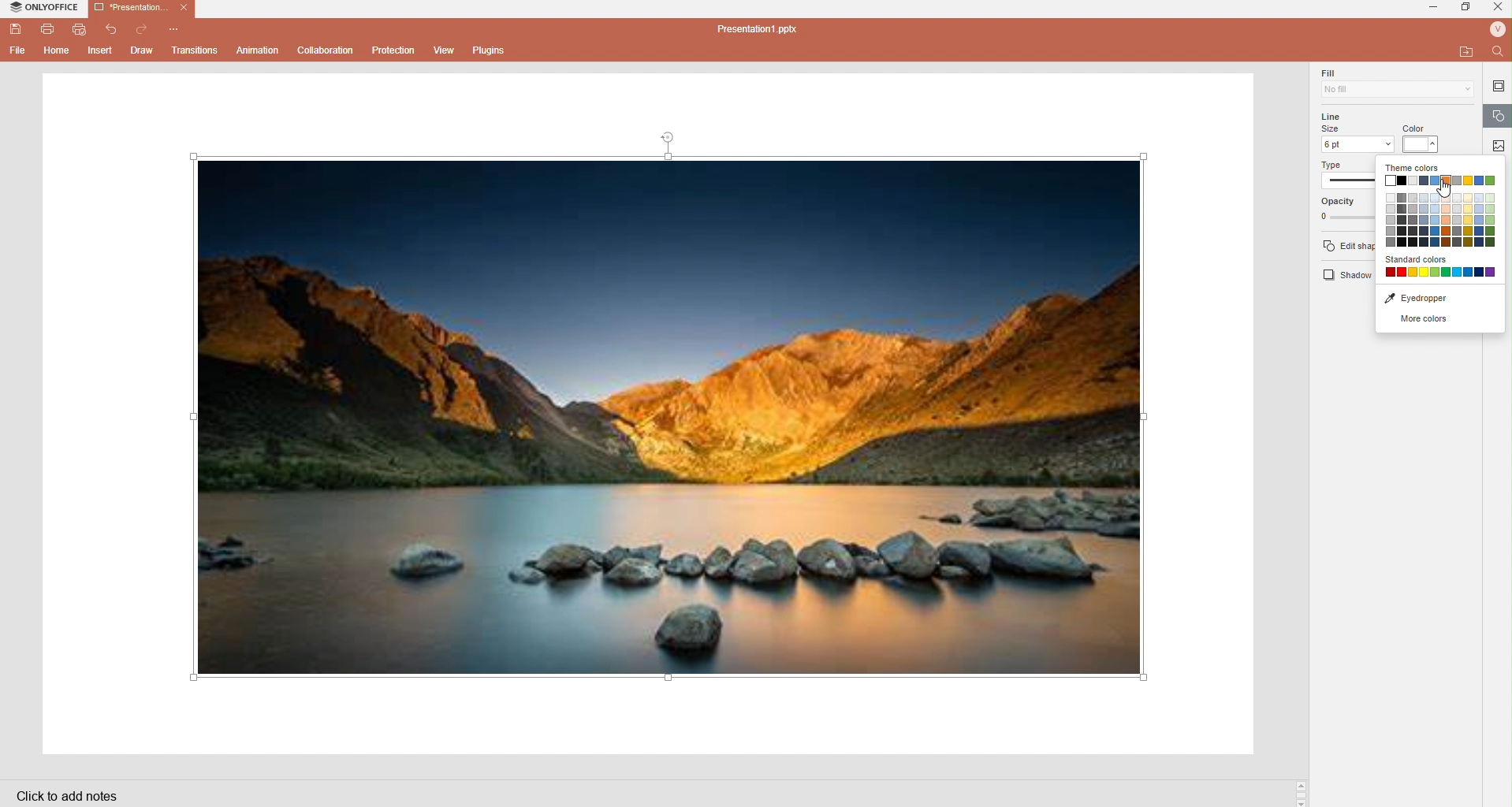 This screenshot has width=1512, height=807. What do you see at coordinates (1436, 7) in the screenshot?
I see `minimize` at bounding box center [1436, 7].